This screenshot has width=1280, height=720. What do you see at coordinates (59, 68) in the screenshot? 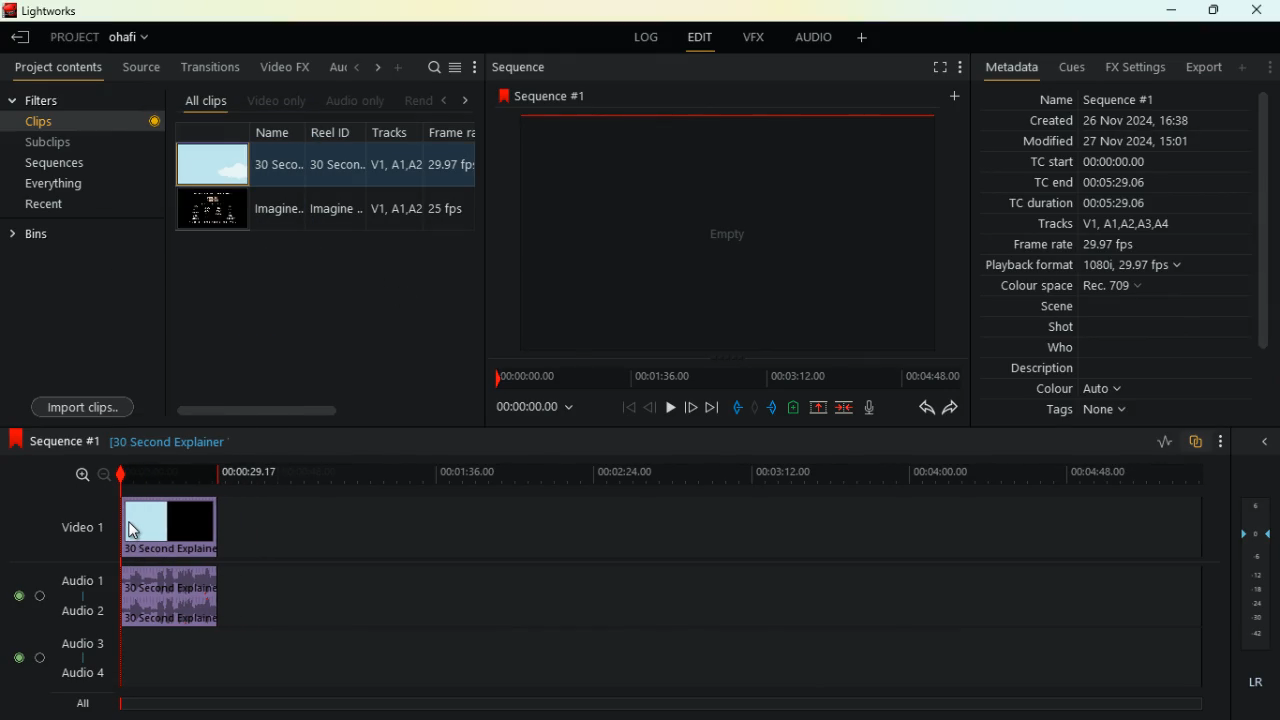
I see `project contents` at bounding box center [59, 68].